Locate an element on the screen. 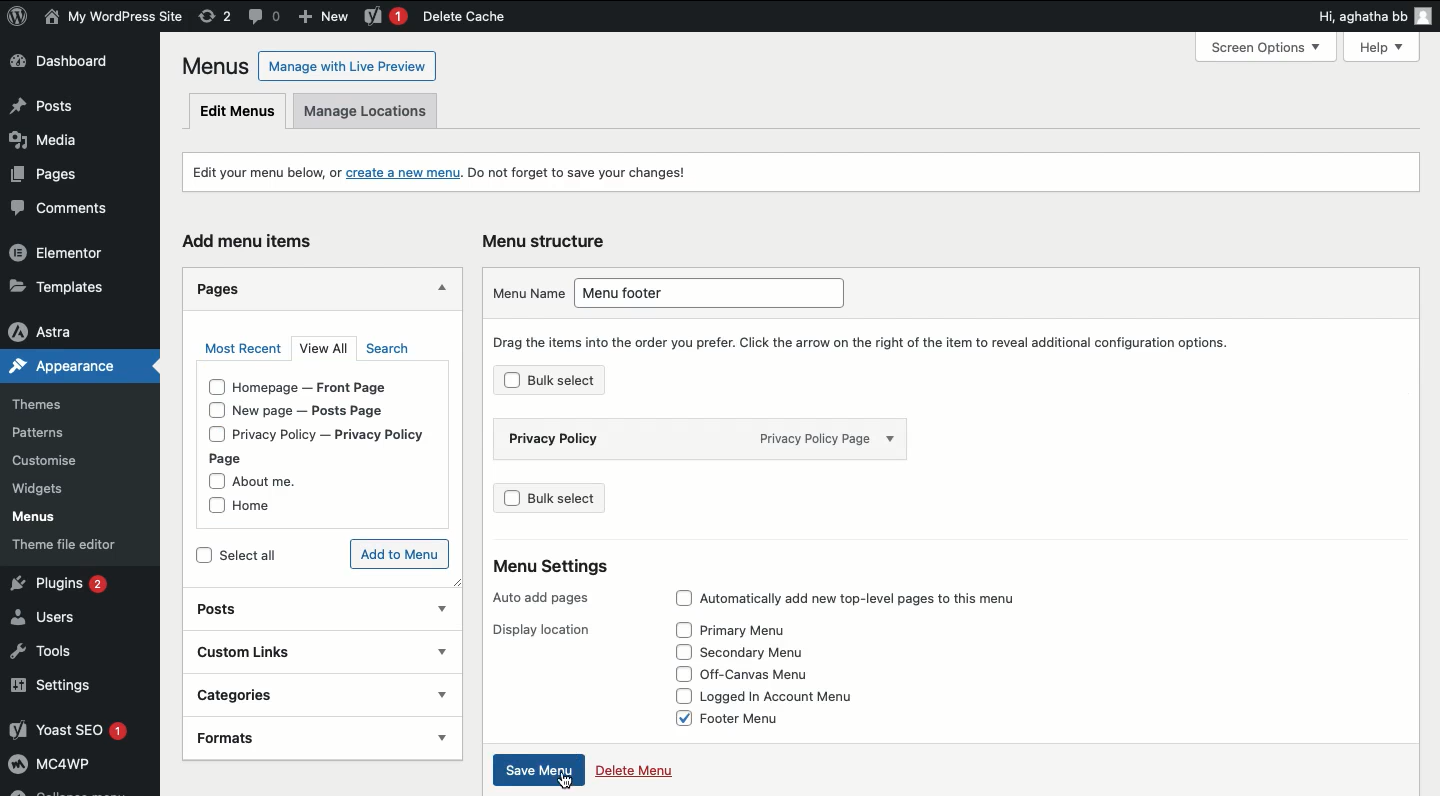 The width and height of the screenshot is (1440, 796). Help is located at coordinates (1386, 45).